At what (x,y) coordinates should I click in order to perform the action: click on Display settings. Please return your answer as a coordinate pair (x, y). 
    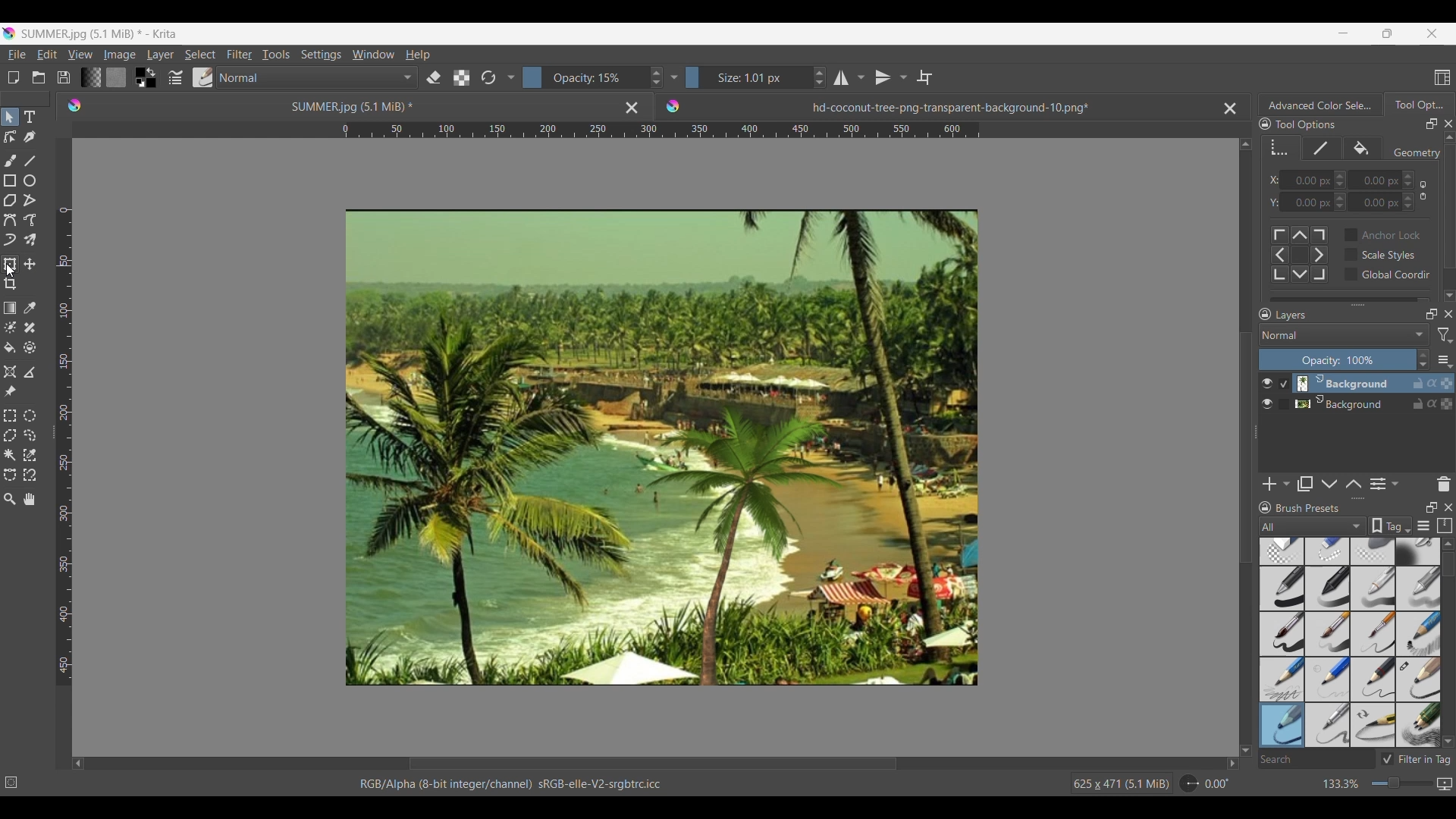
    Looking at the image, I should click on (1423, 527).